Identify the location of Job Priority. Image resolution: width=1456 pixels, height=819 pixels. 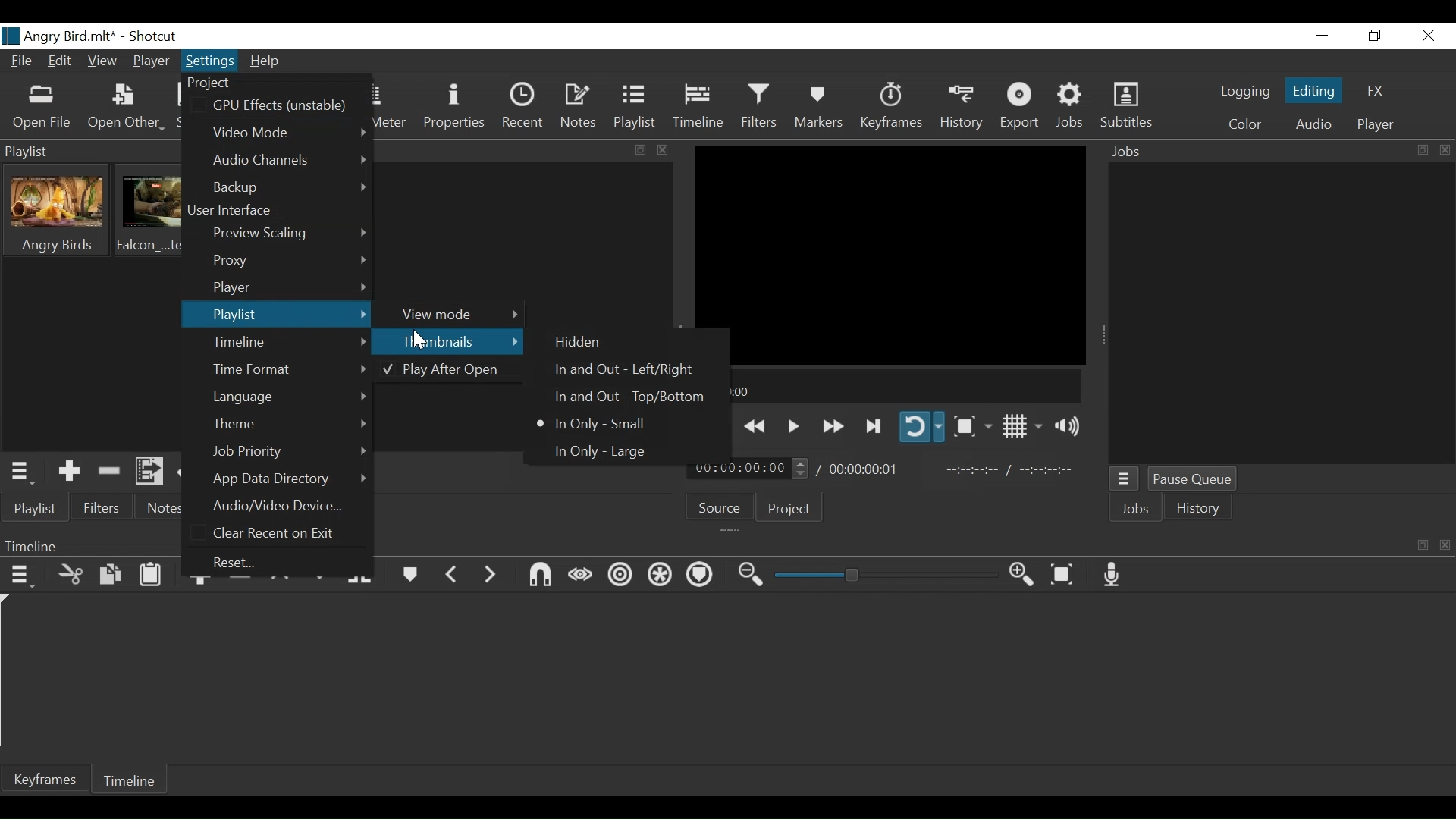
(289, 452).